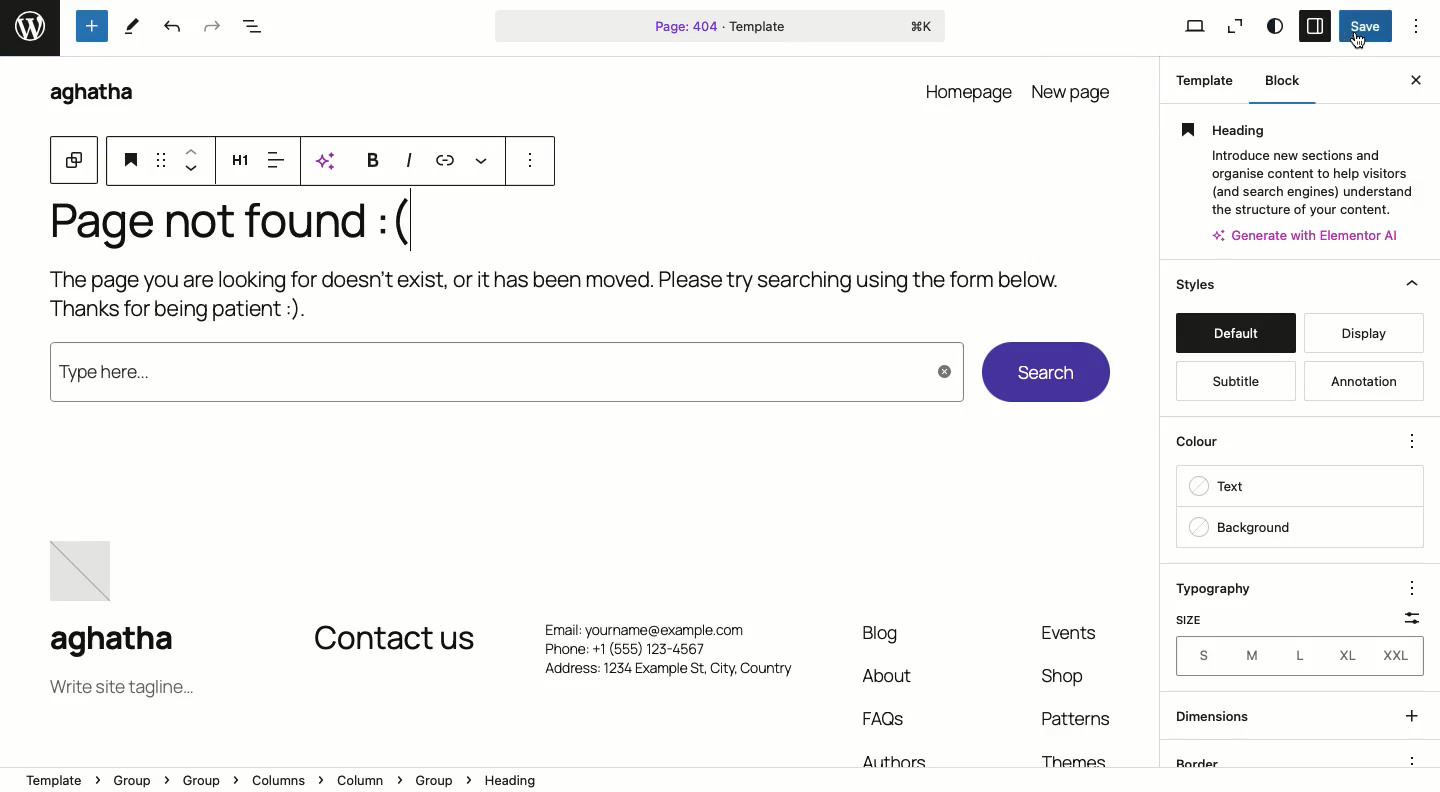  Describe the element at coordinates (1197, 618) in the screenshot. I see `Size` at that location.